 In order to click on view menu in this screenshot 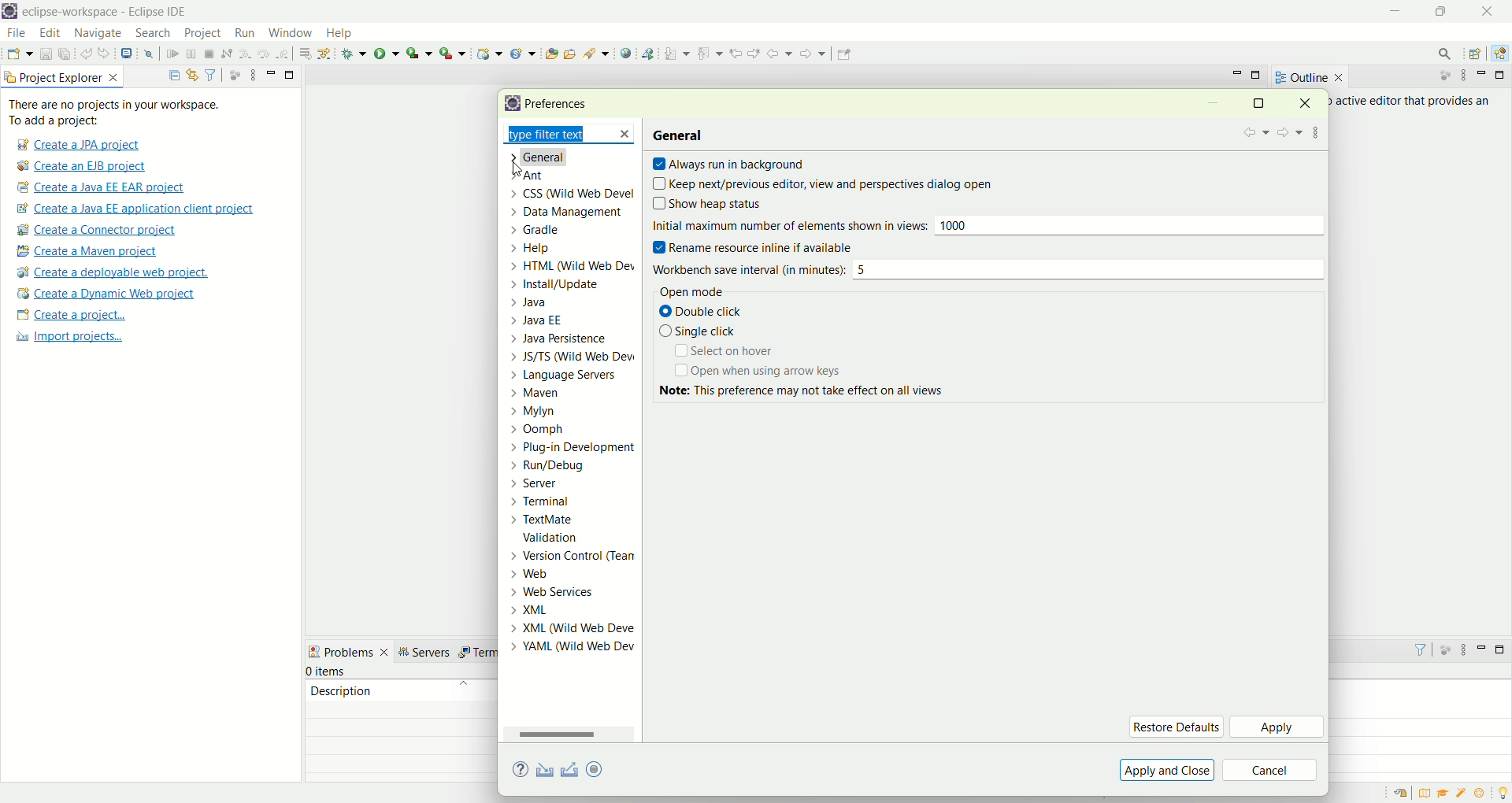, I will do `click(1462, 76)`.